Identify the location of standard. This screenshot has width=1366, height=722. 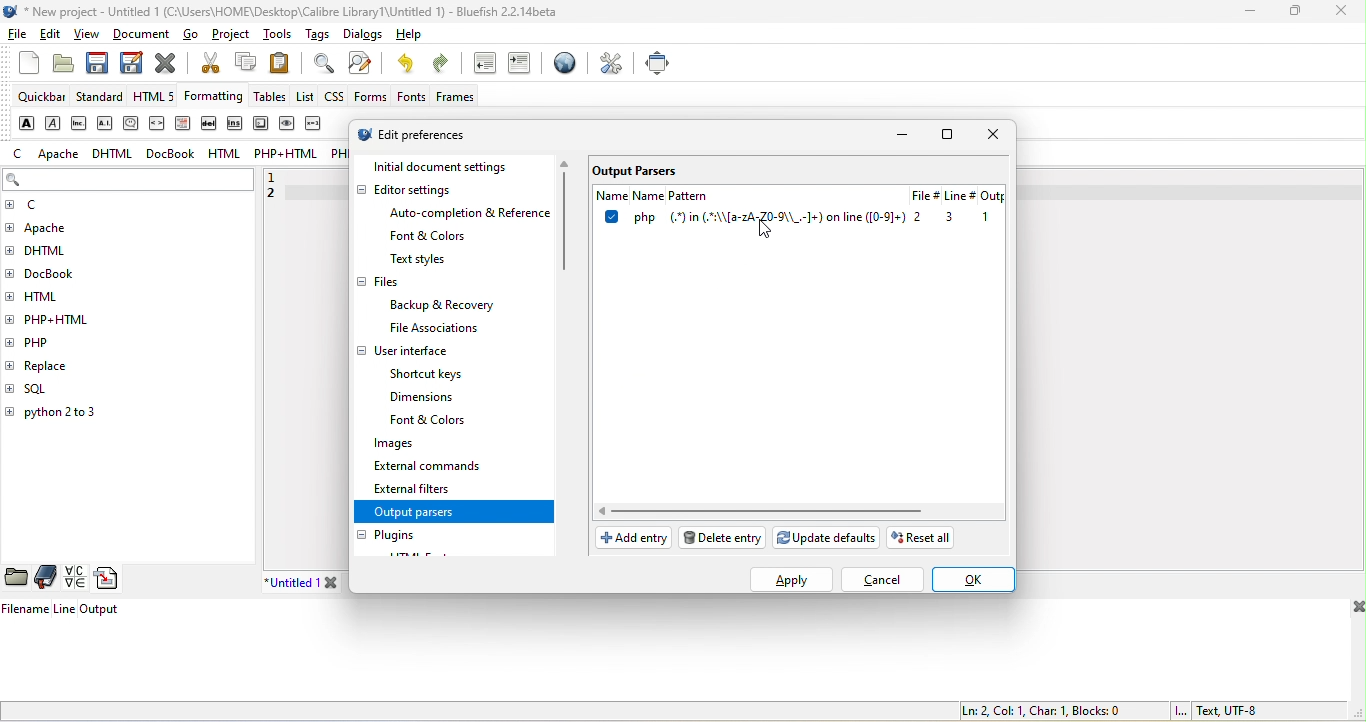
(102, 96).